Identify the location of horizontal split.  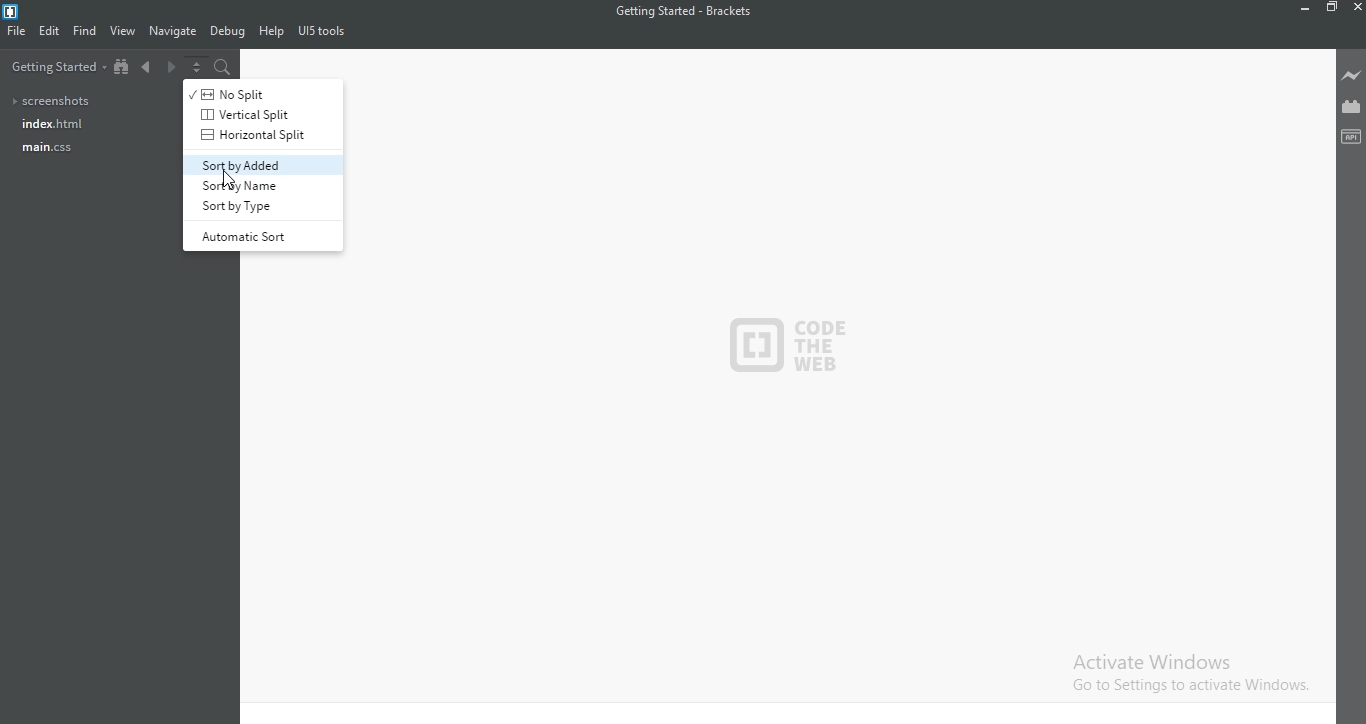
(250, 135).